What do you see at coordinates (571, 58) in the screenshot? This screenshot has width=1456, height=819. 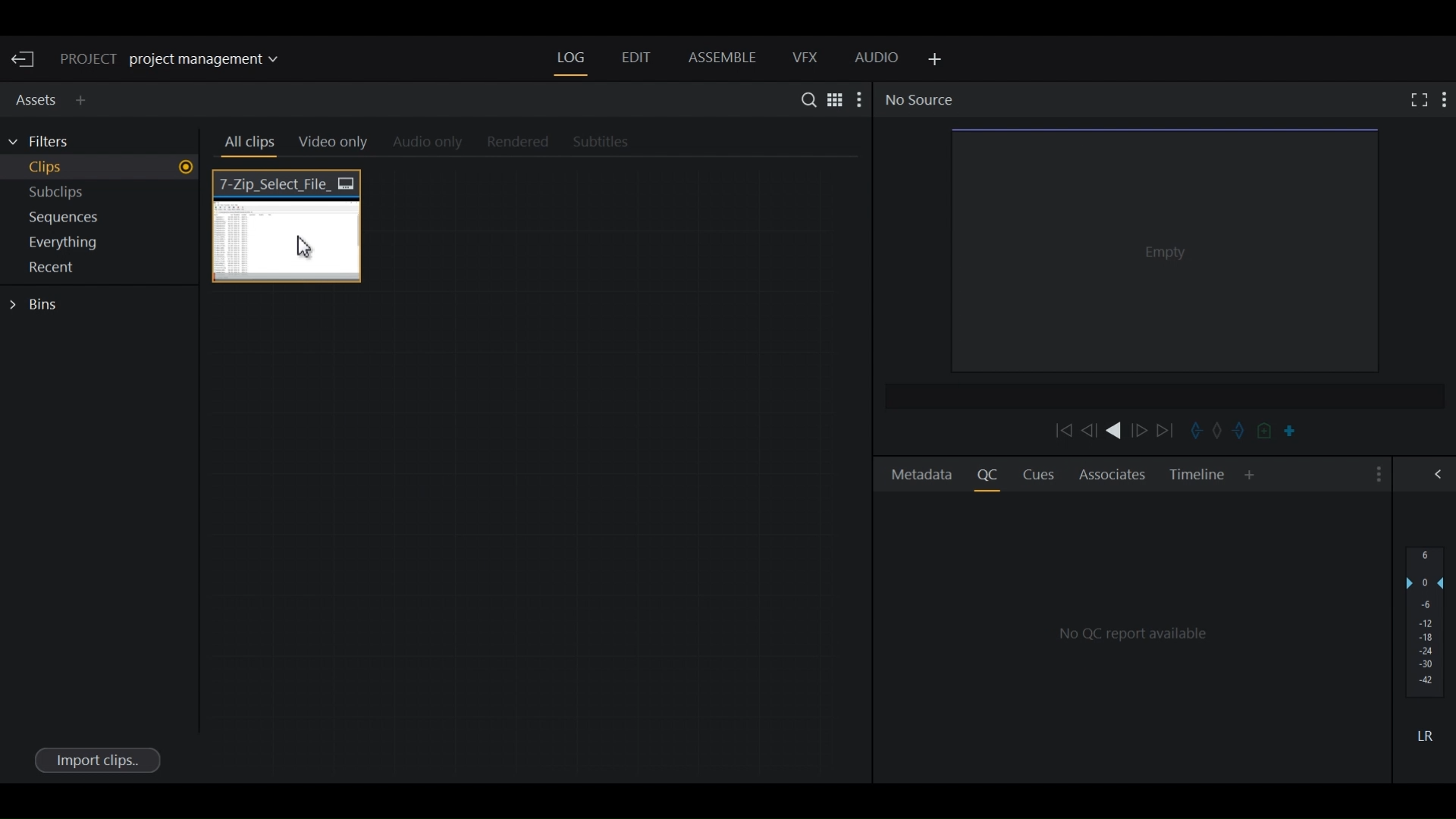 I see `Log` at bounding box center [571, 58].